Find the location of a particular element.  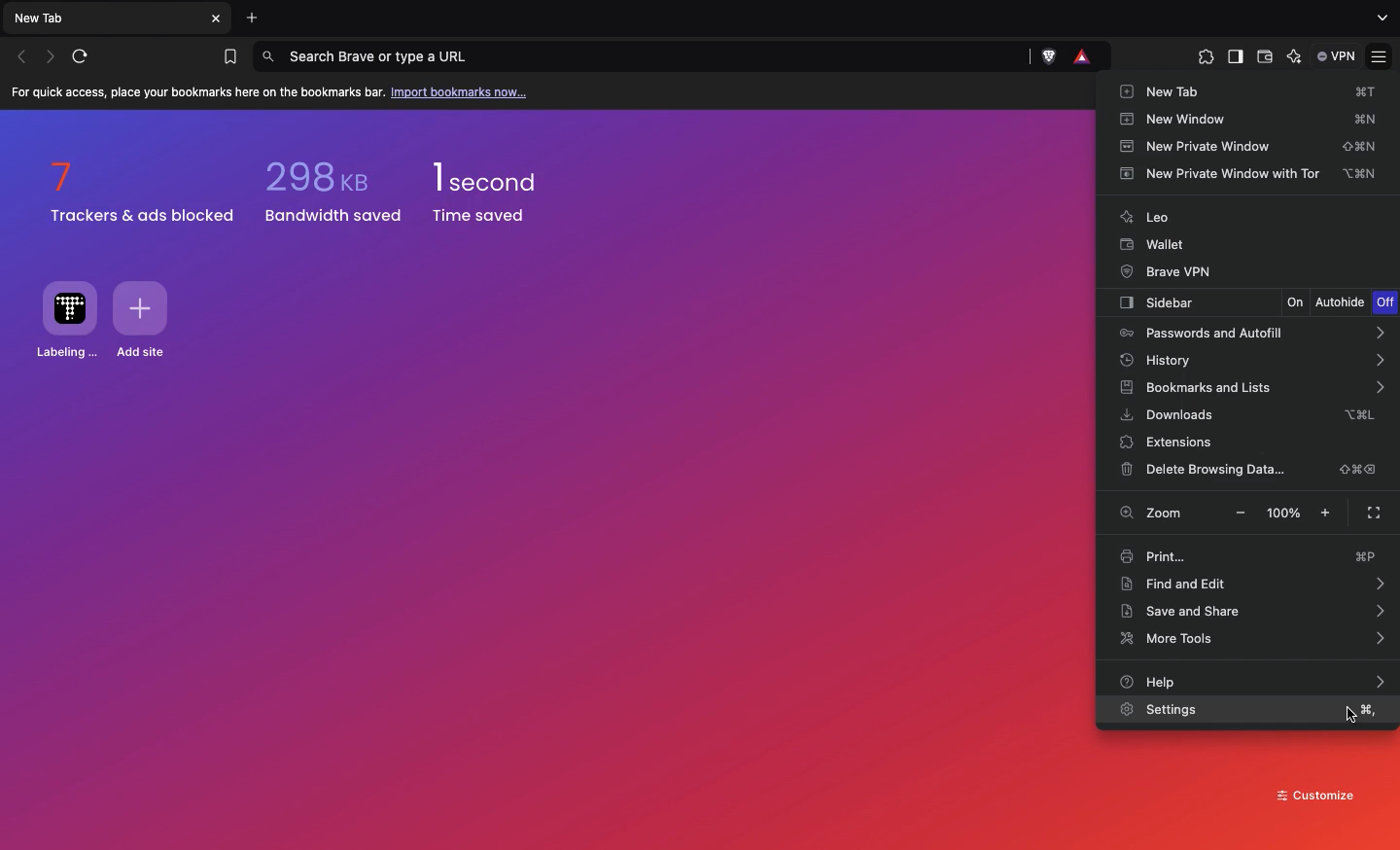

New tab is located at coordinates (1246, 90).